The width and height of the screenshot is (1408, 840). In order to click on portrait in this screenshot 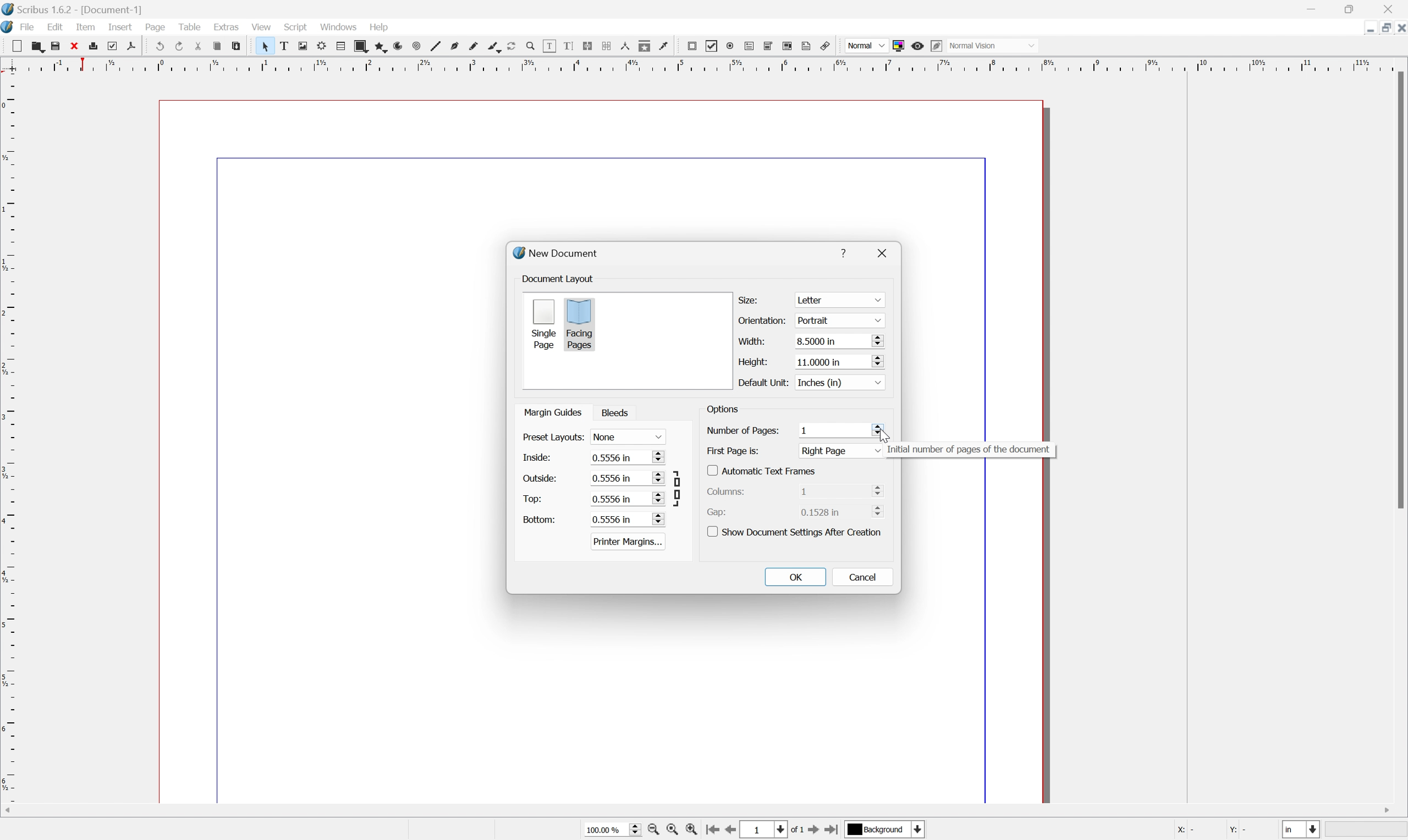, I will do `click(837, 320)`.